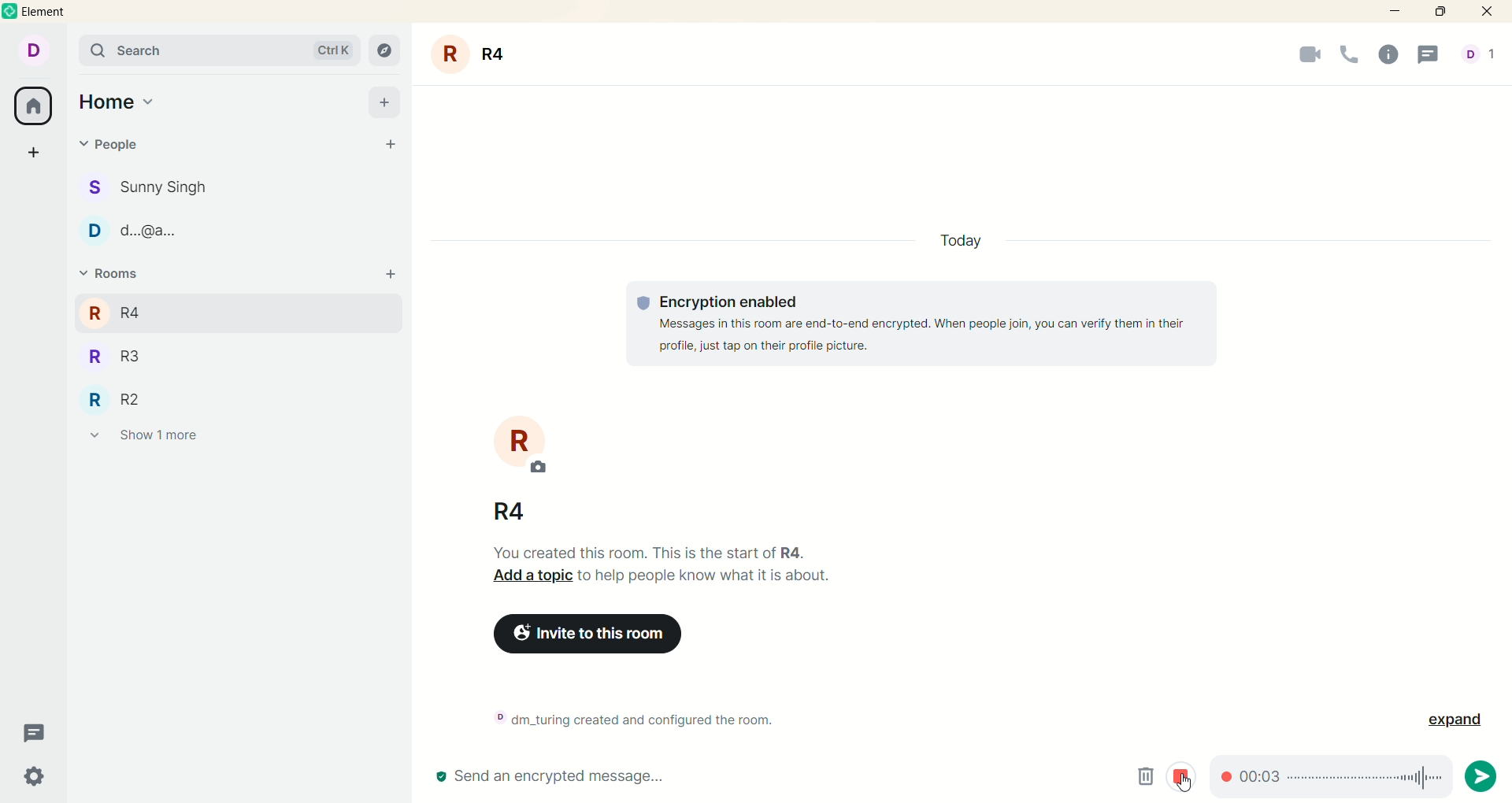 This screenshot has width=1512, height=803. Describe the element at coordinates (34, 108) in the screenshot. I see `all rooms` at that location.